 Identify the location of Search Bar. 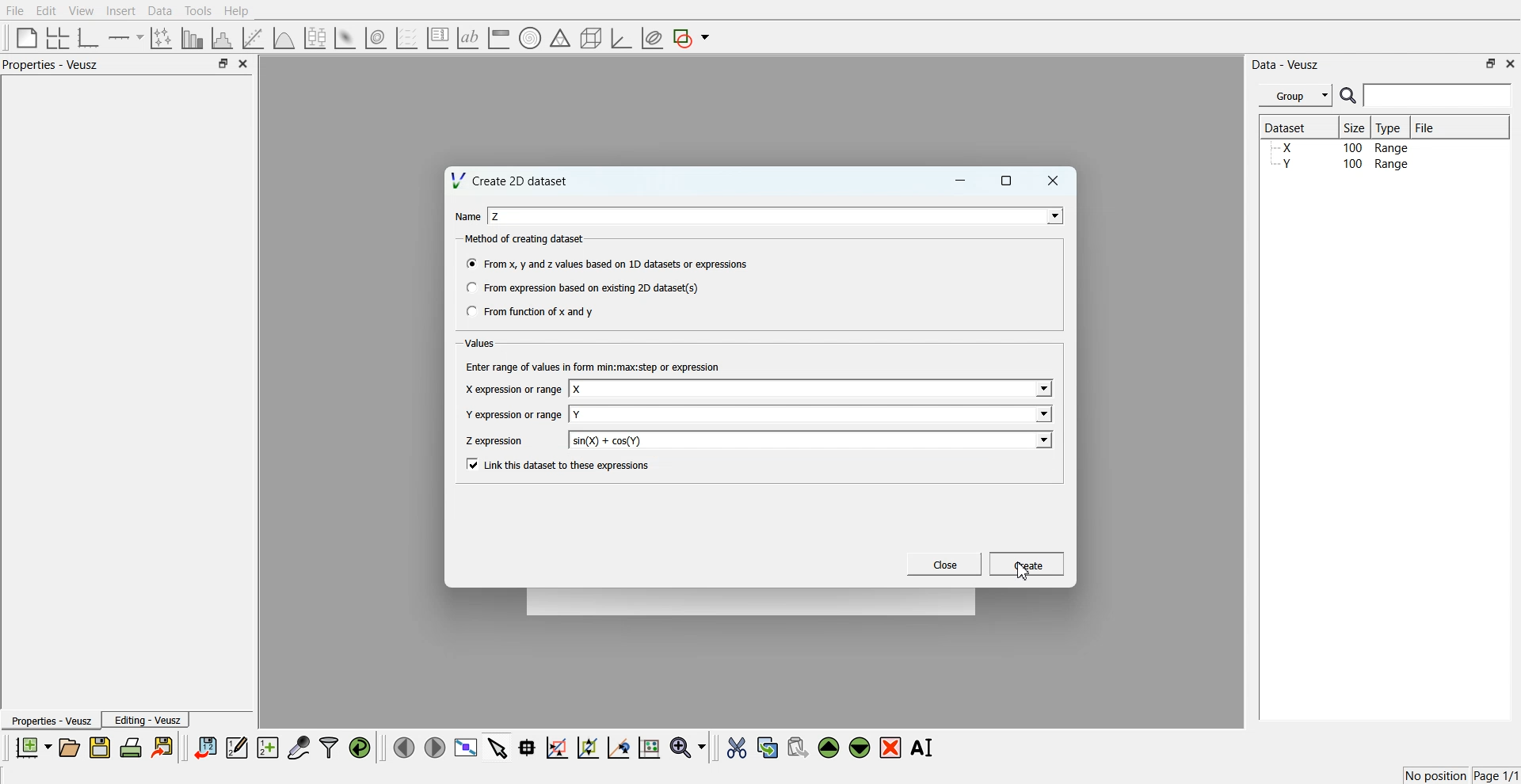
(1427, 95).